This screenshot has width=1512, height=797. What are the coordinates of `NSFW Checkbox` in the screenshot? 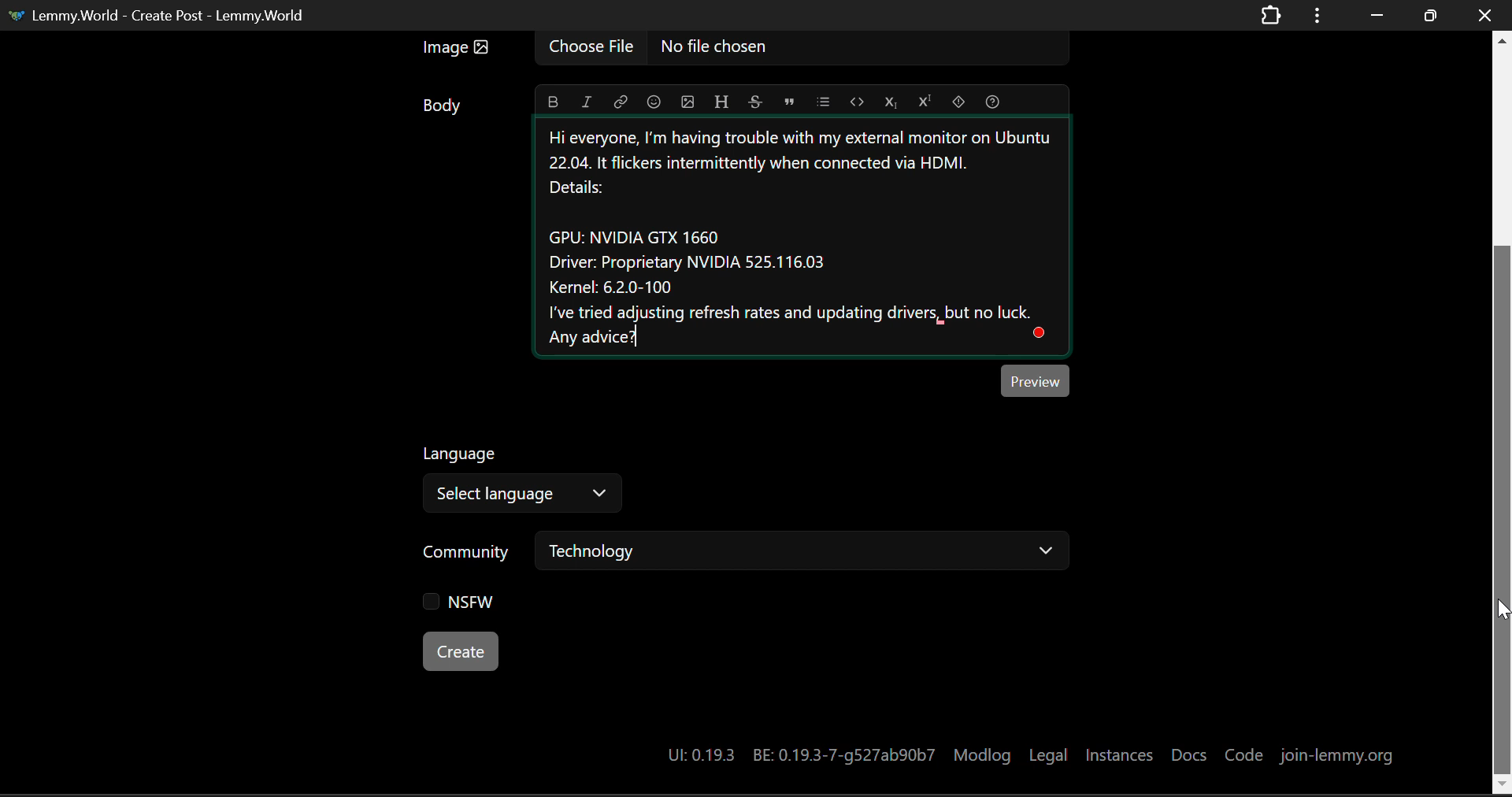 It's located at (461, 606).